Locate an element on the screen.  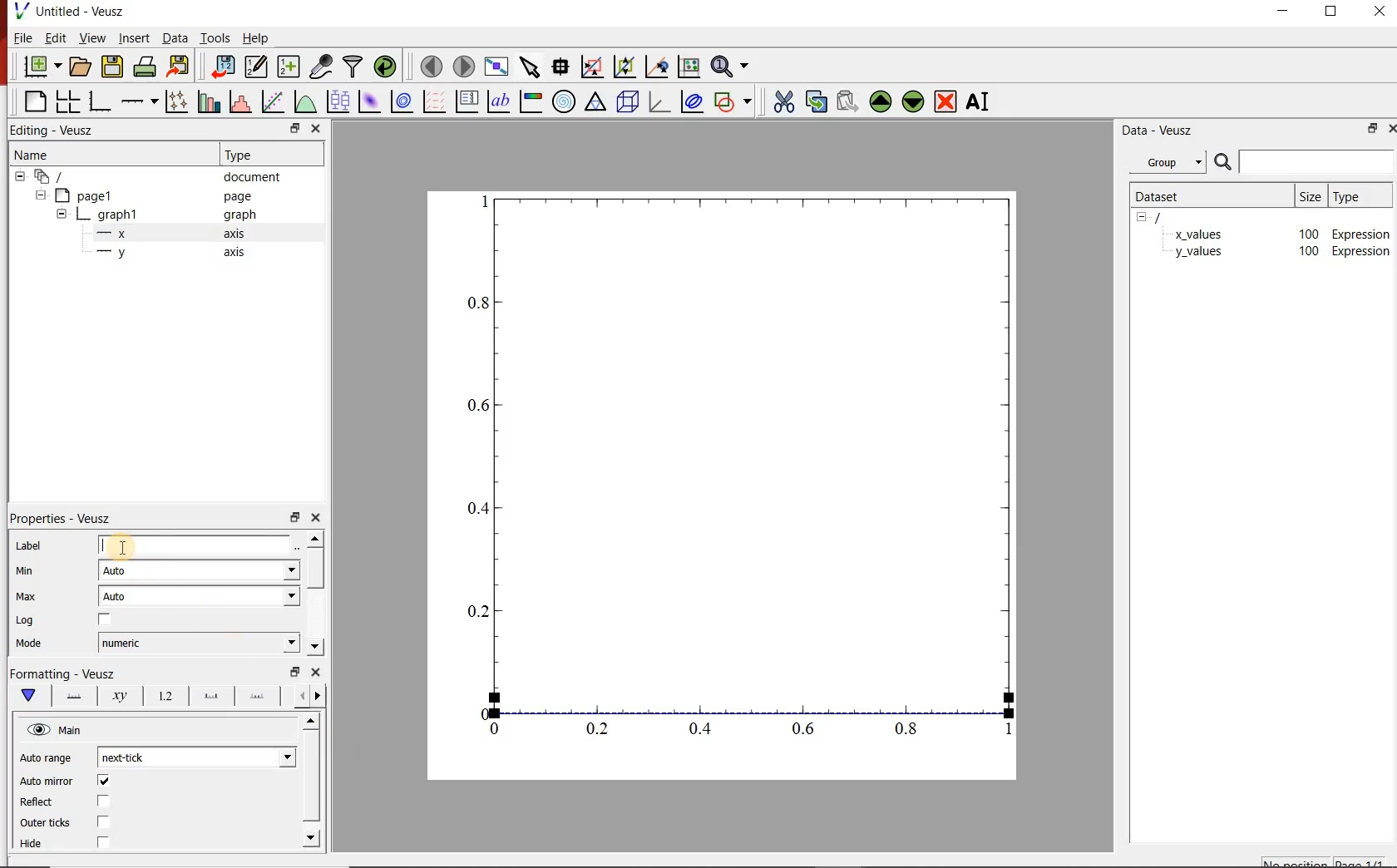
axis is located at coordinates (236, 234).